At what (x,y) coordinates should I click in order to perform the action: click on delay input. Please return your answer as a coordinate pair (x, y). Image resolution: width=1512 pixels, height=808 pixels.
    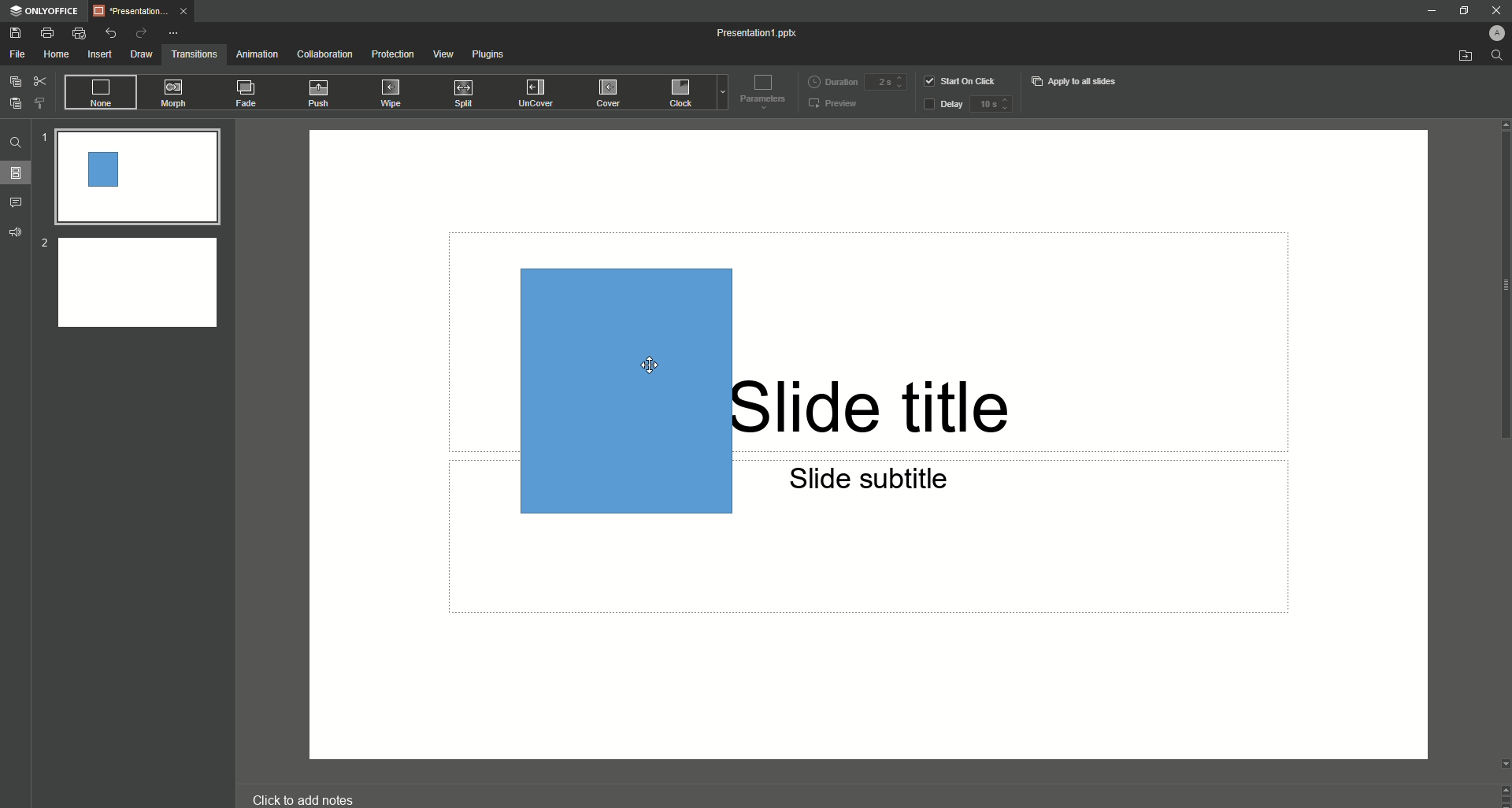
    Looking at the image, I should click on (993, 106).